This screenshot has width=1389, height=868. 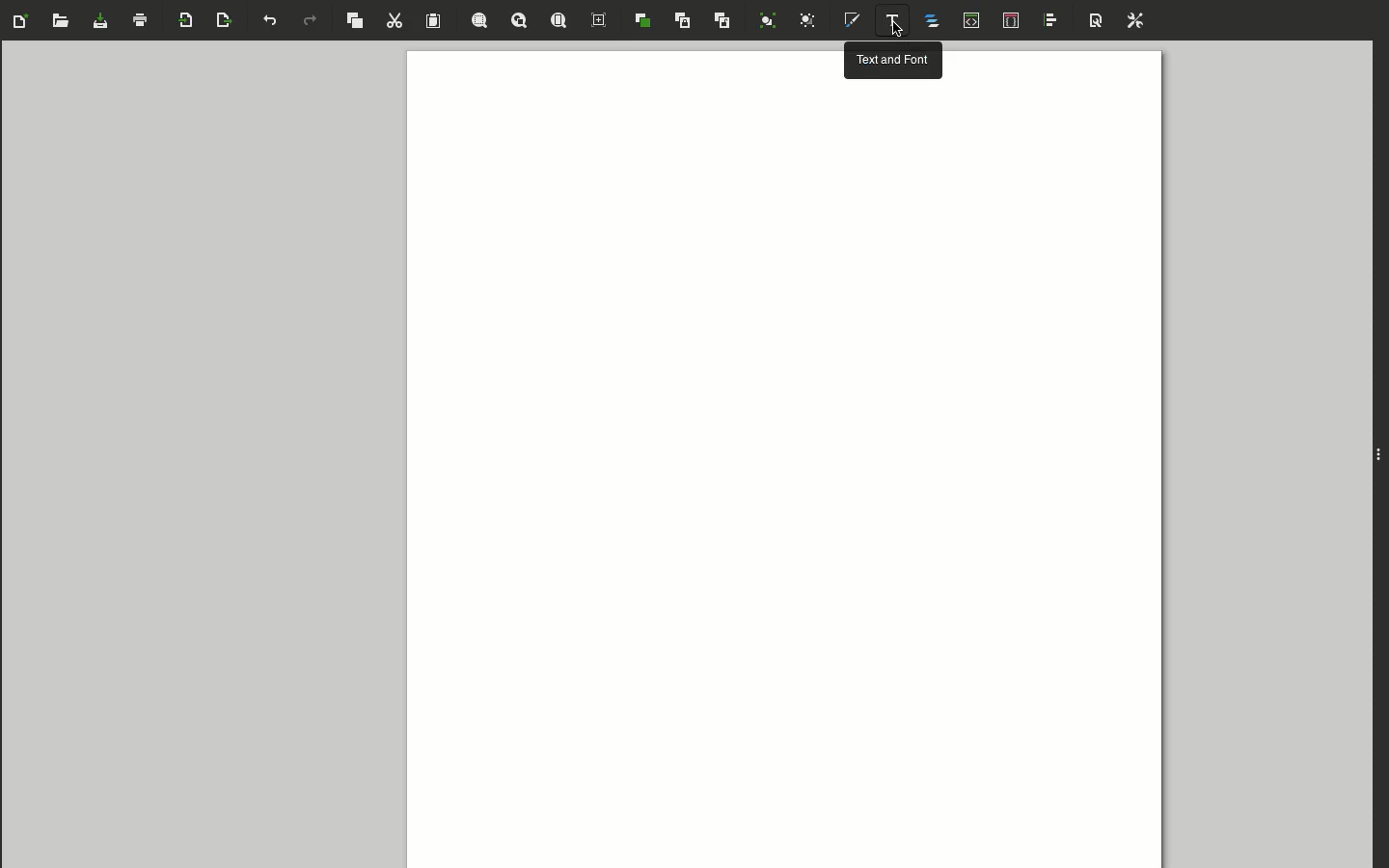 I want to click on Save, so click(x=101, y=24).